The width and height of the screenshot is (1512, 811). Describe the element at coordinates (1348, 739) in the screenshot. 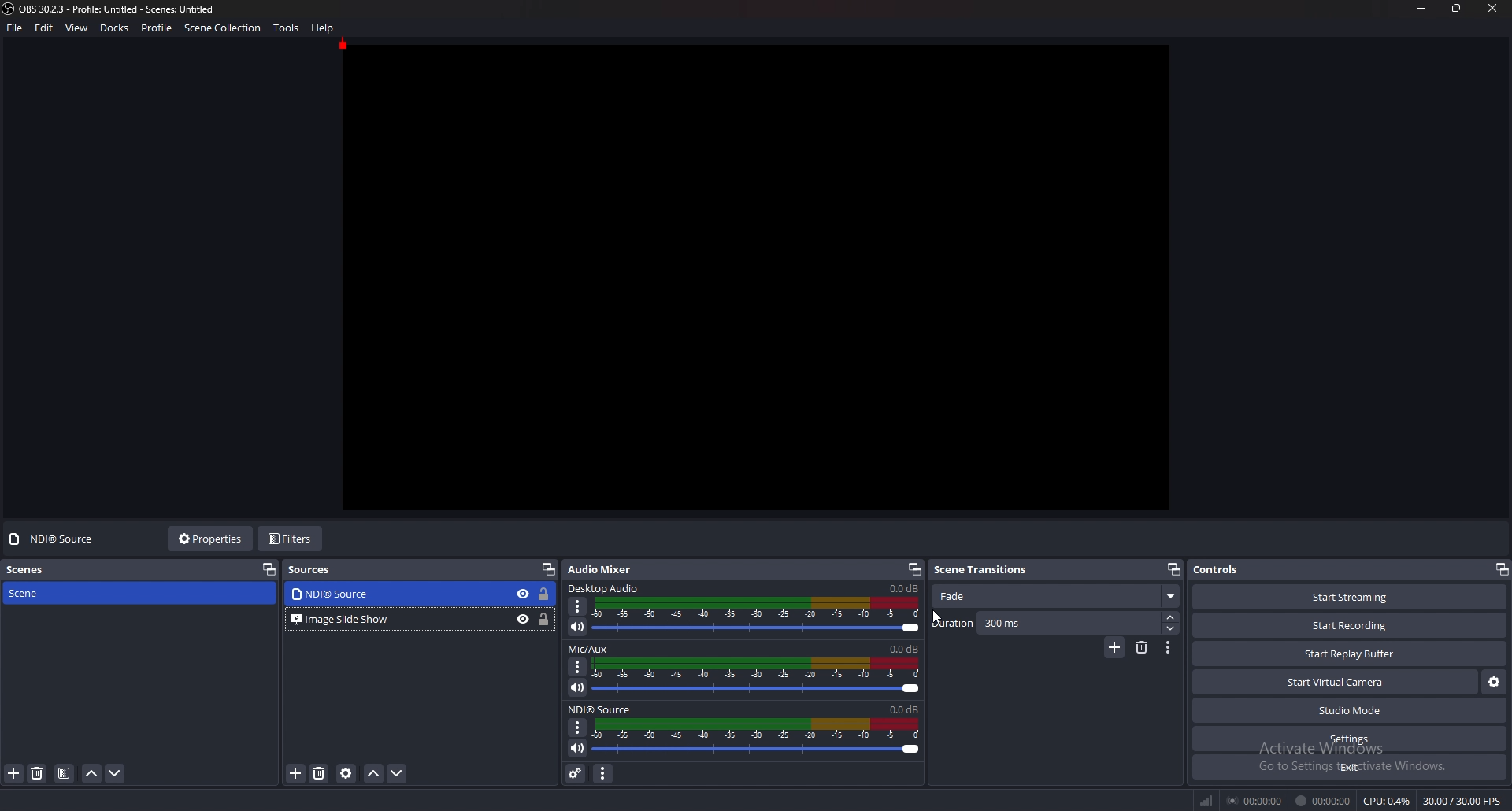

I see `settings` at that location.